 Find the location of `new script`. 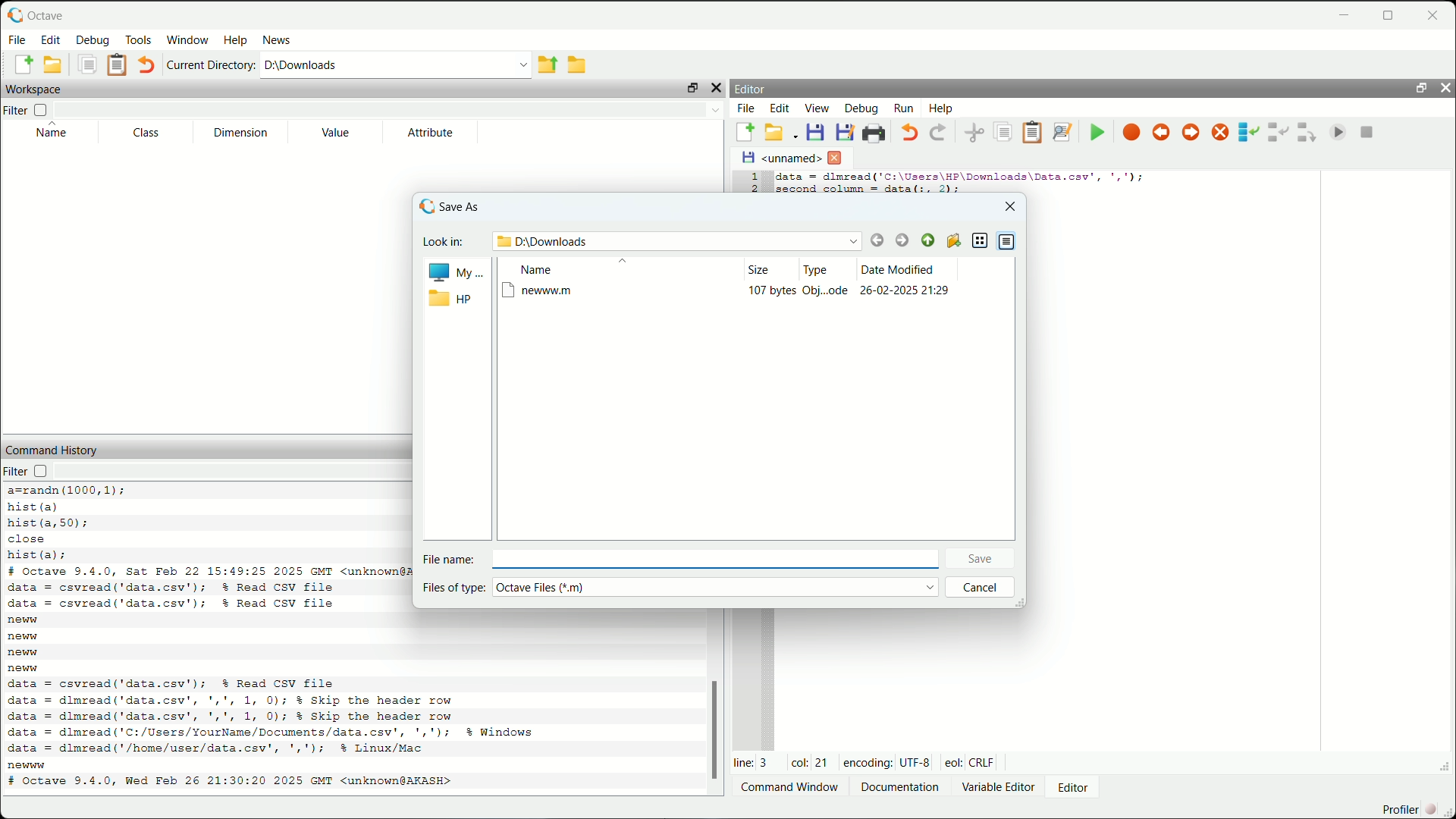

new script is located at coordinates (20, 64).